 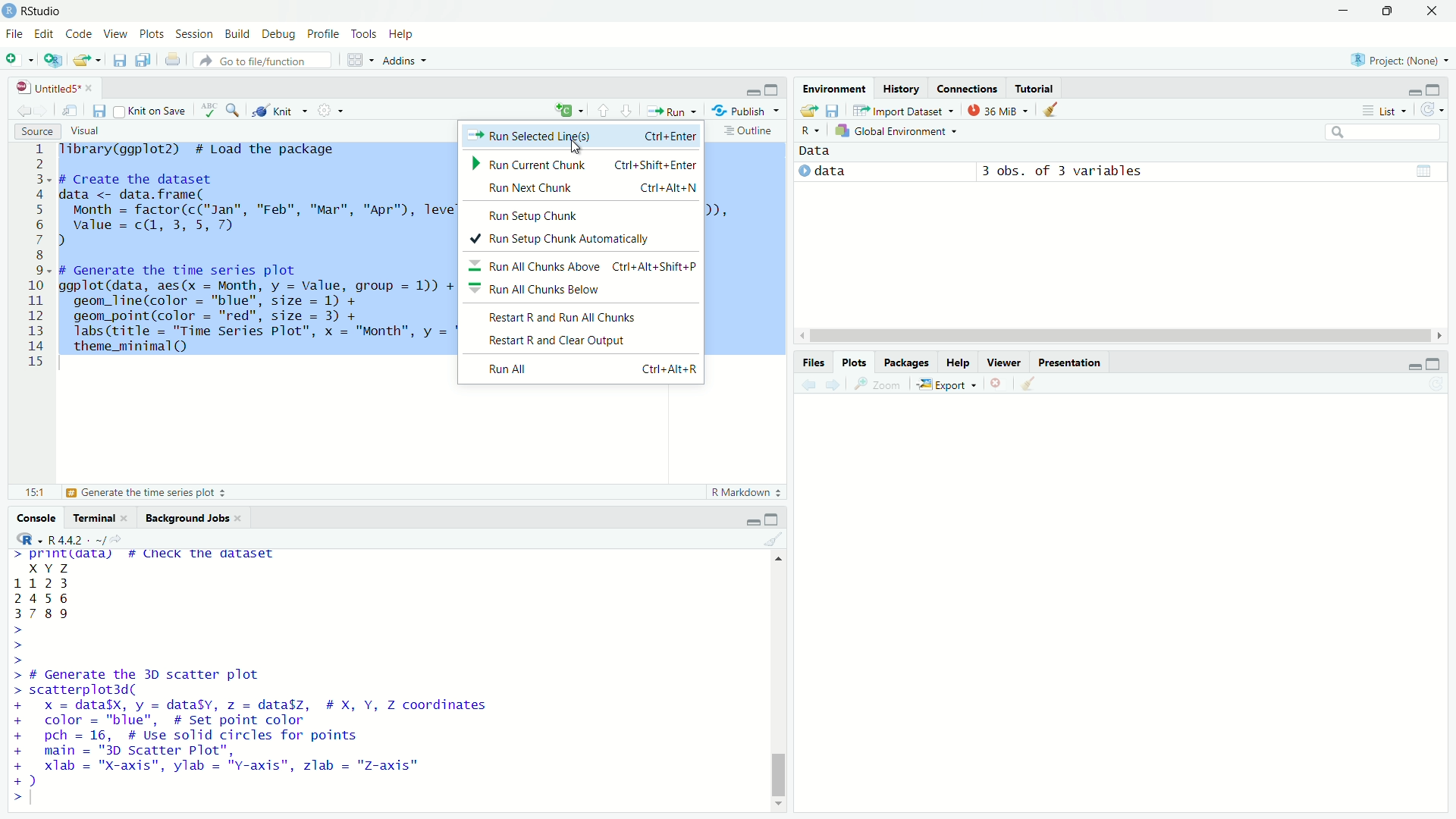 I want to click on prompt cursor, so click(x=10, y=797).